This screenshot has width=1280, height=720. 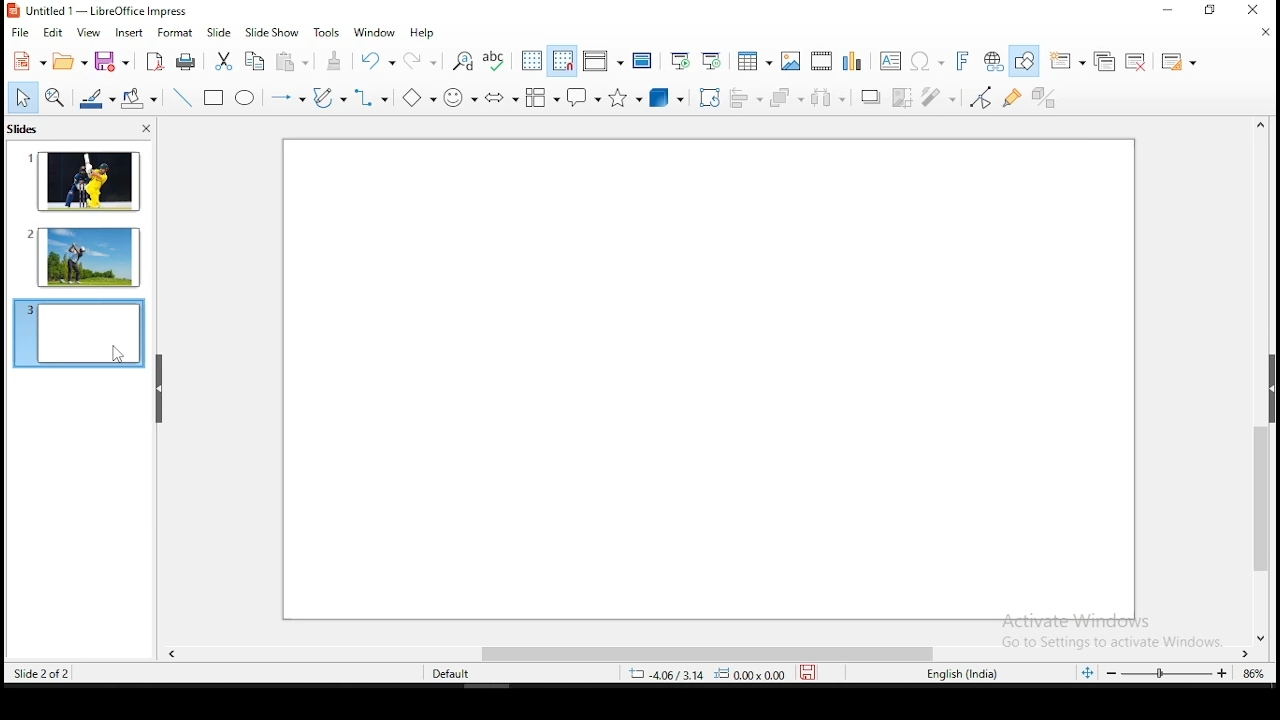 What do you see at coordinates (541, 97) in the screenshot?
I see `flowchart` at bounding box center [541, 97].